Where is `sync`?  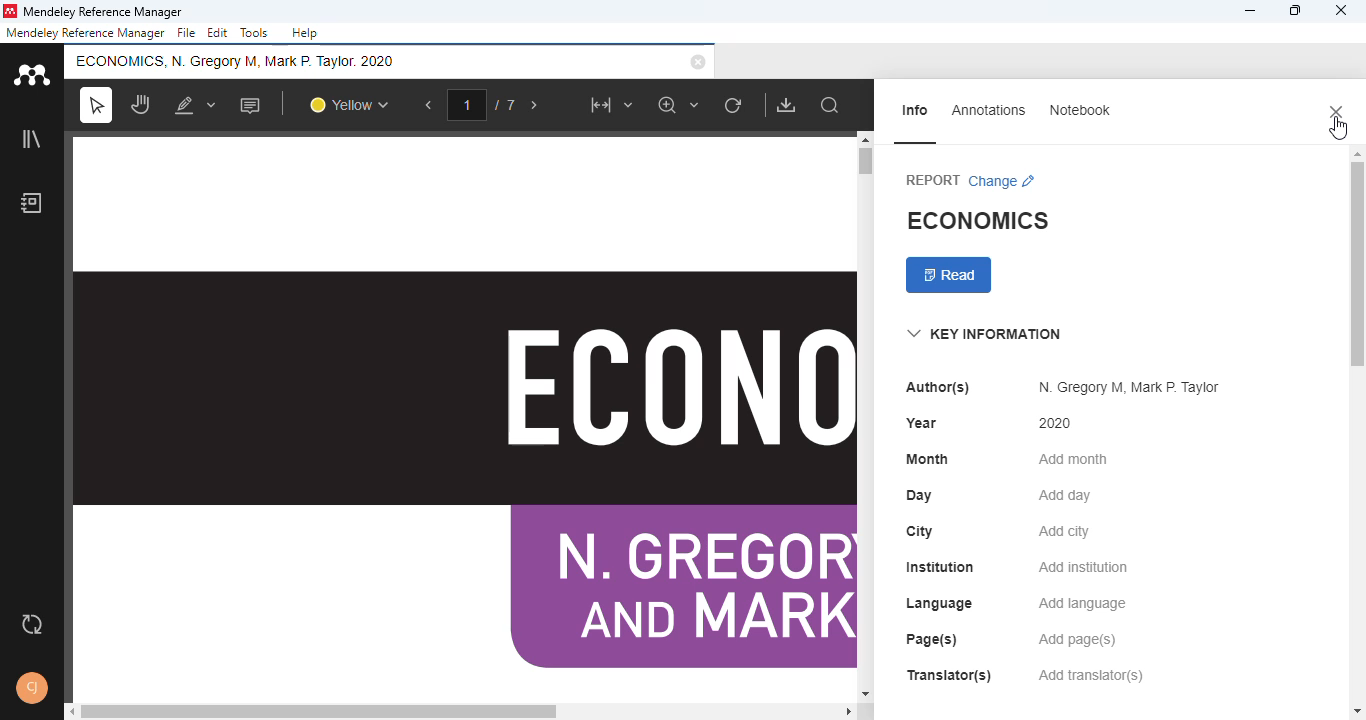
sync is located at coordinates (33, 624).